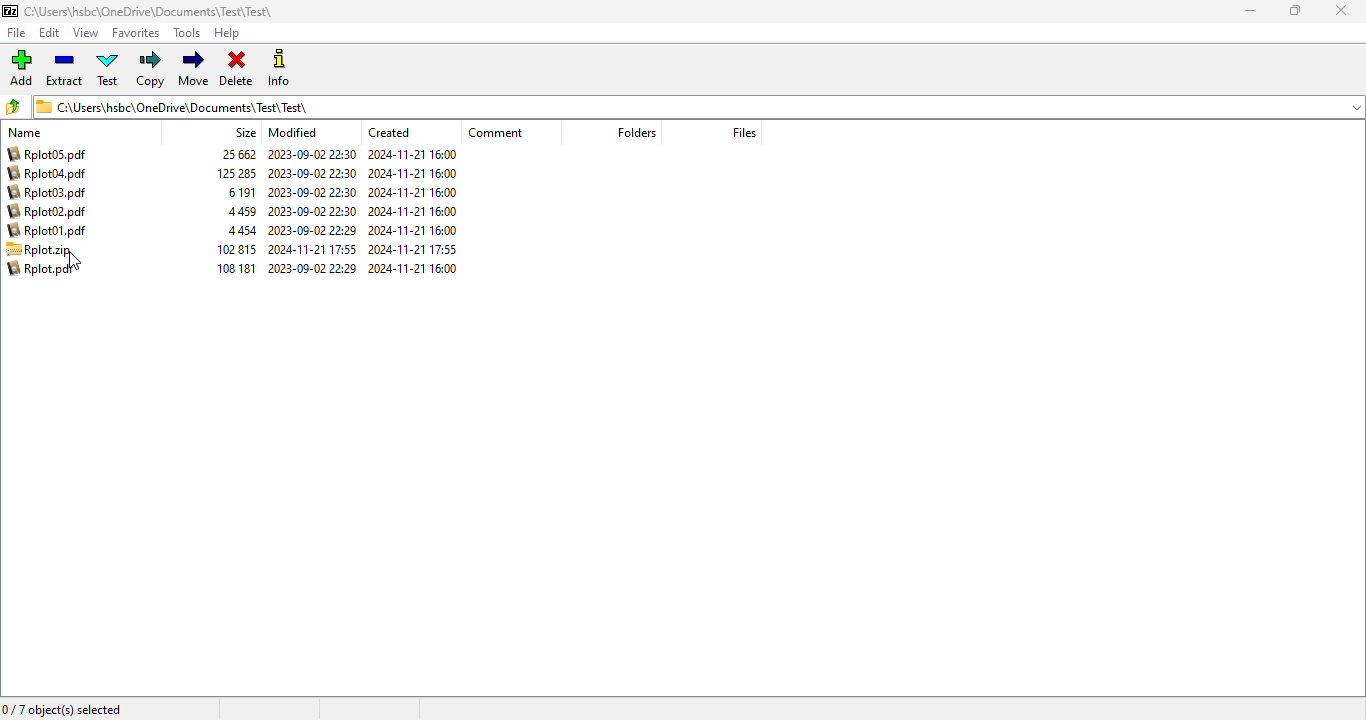  What do you see at coordinates (107, 67) in the screenshot?
I see `test` at bounding box center [107, 67].